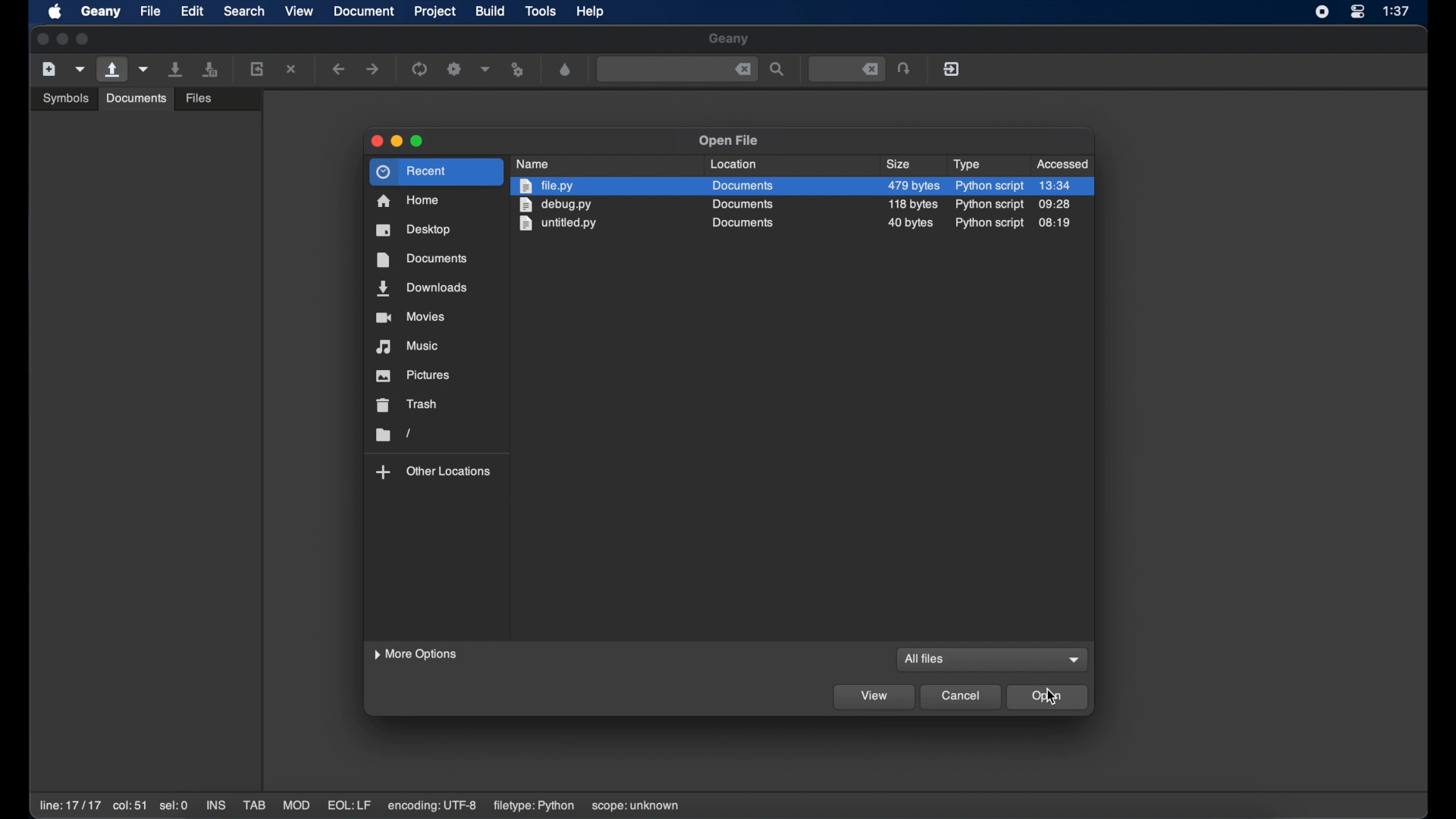  I want to click on recent, so click(437, 172).